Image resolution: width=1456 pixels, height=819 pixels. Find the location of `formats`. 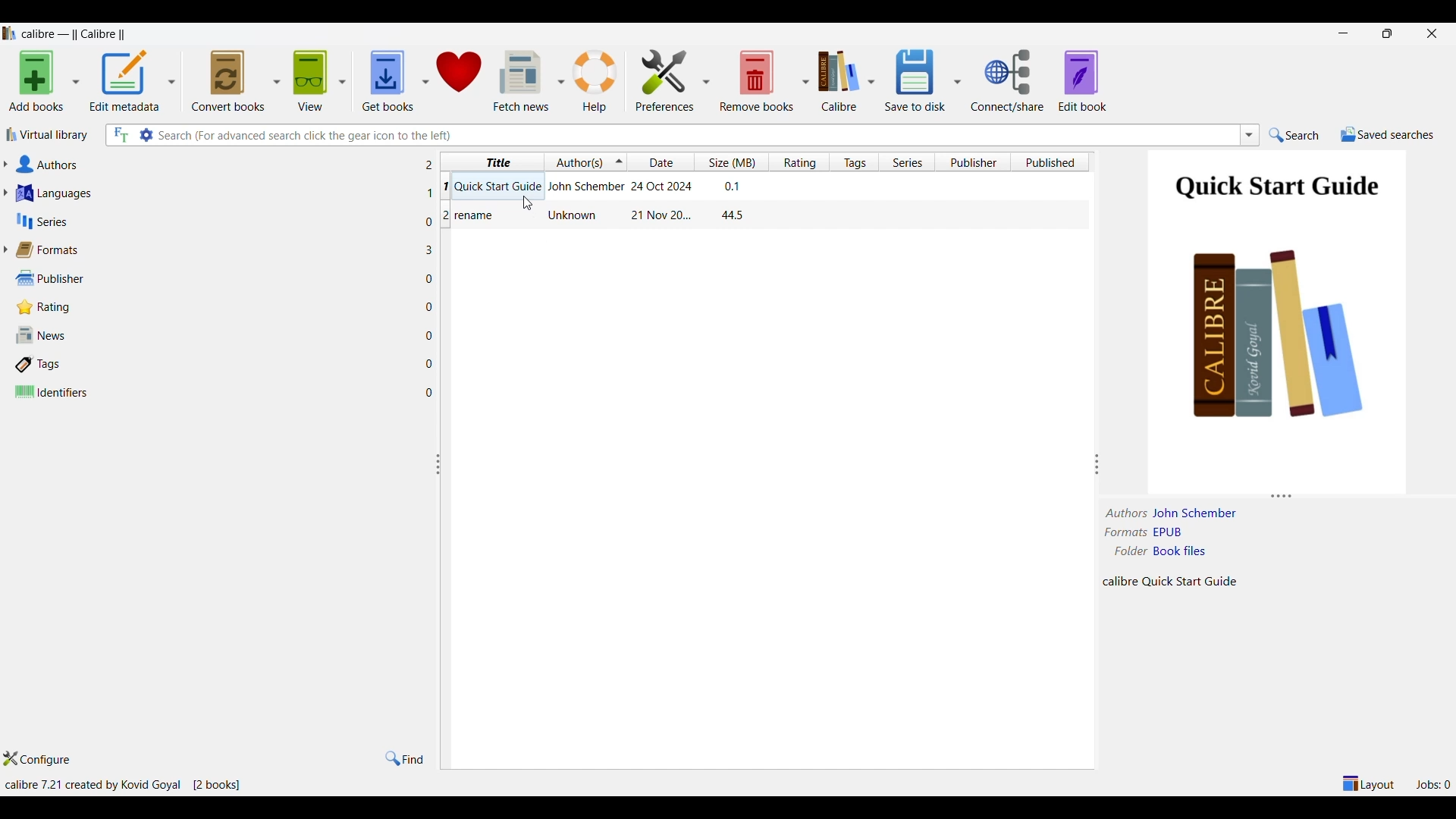

formats is located at coordinates (1125, 532).